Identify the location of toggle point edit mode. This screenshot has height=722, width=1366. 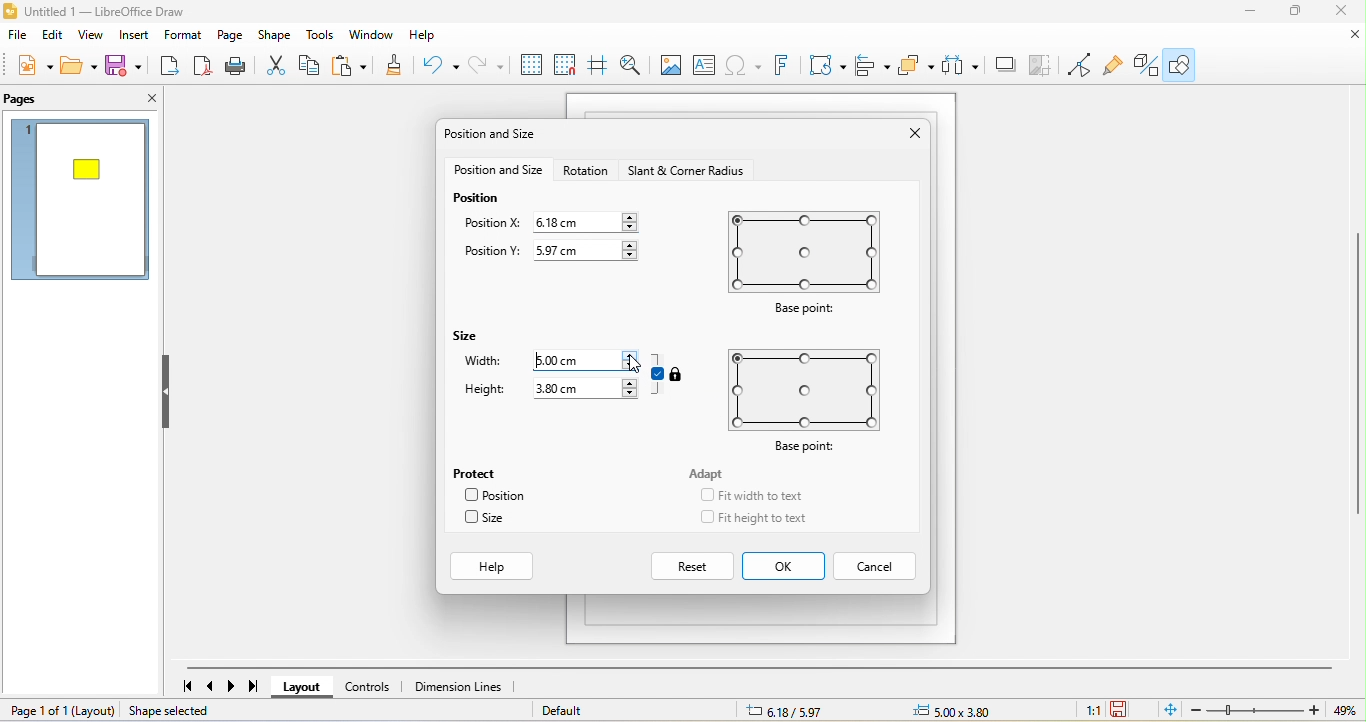
(1084, 65).